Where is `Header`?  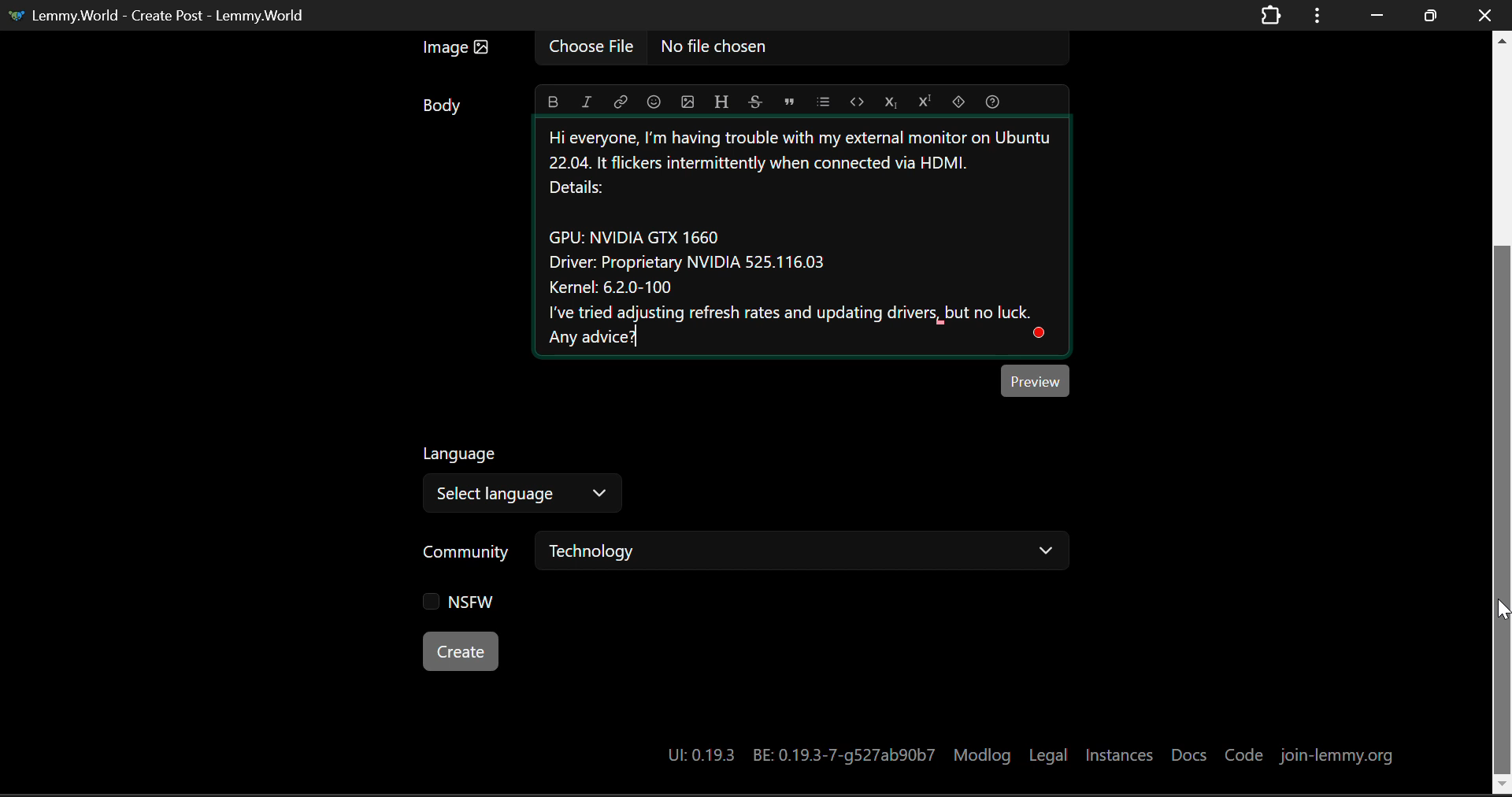
Header is located at coordinates (720, 99).